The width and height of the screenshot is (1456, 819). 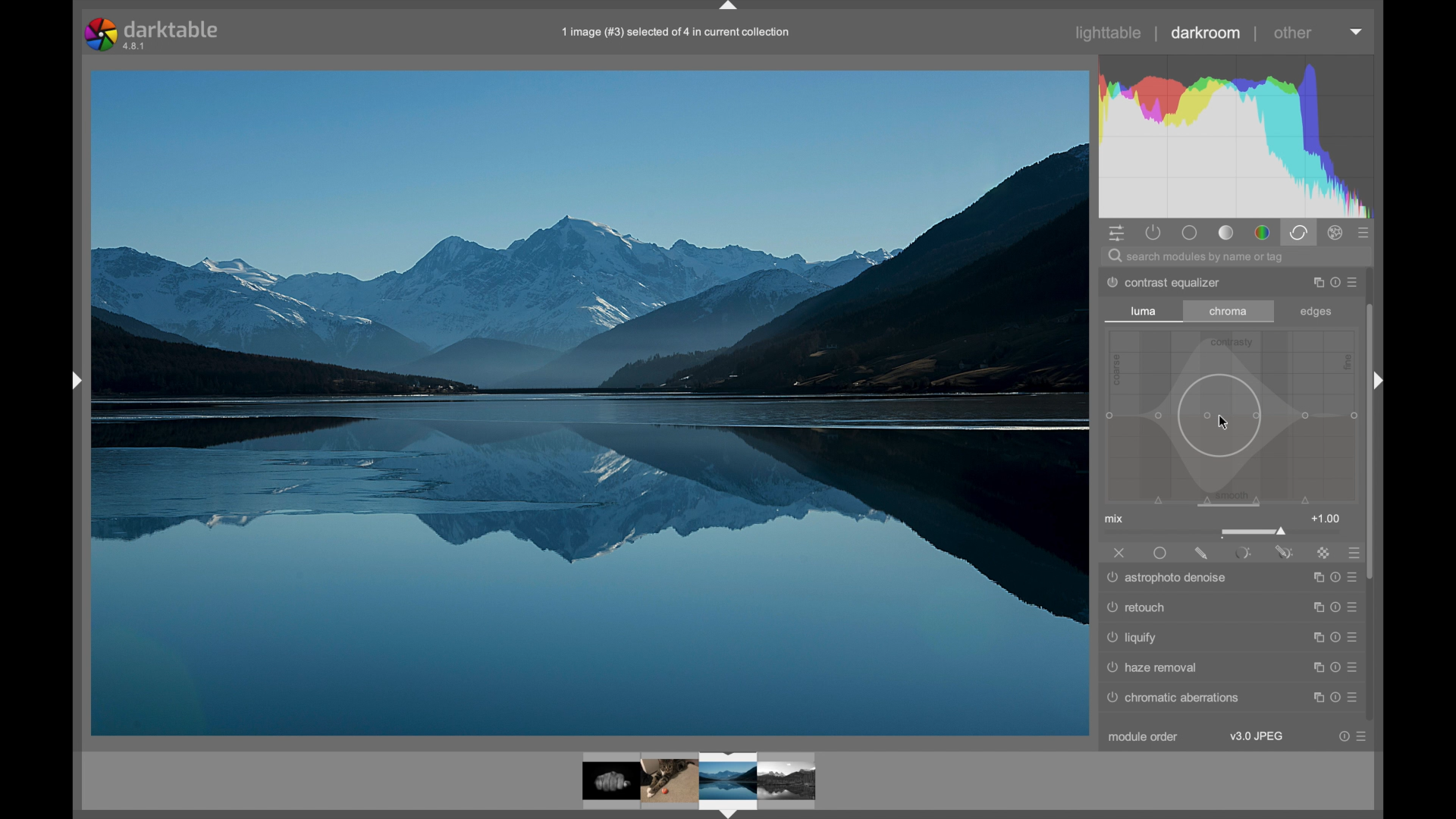 What do you see at coordinates (1262, 232) in the screenshot?
I see `color` at bounding box center [1262, 232].